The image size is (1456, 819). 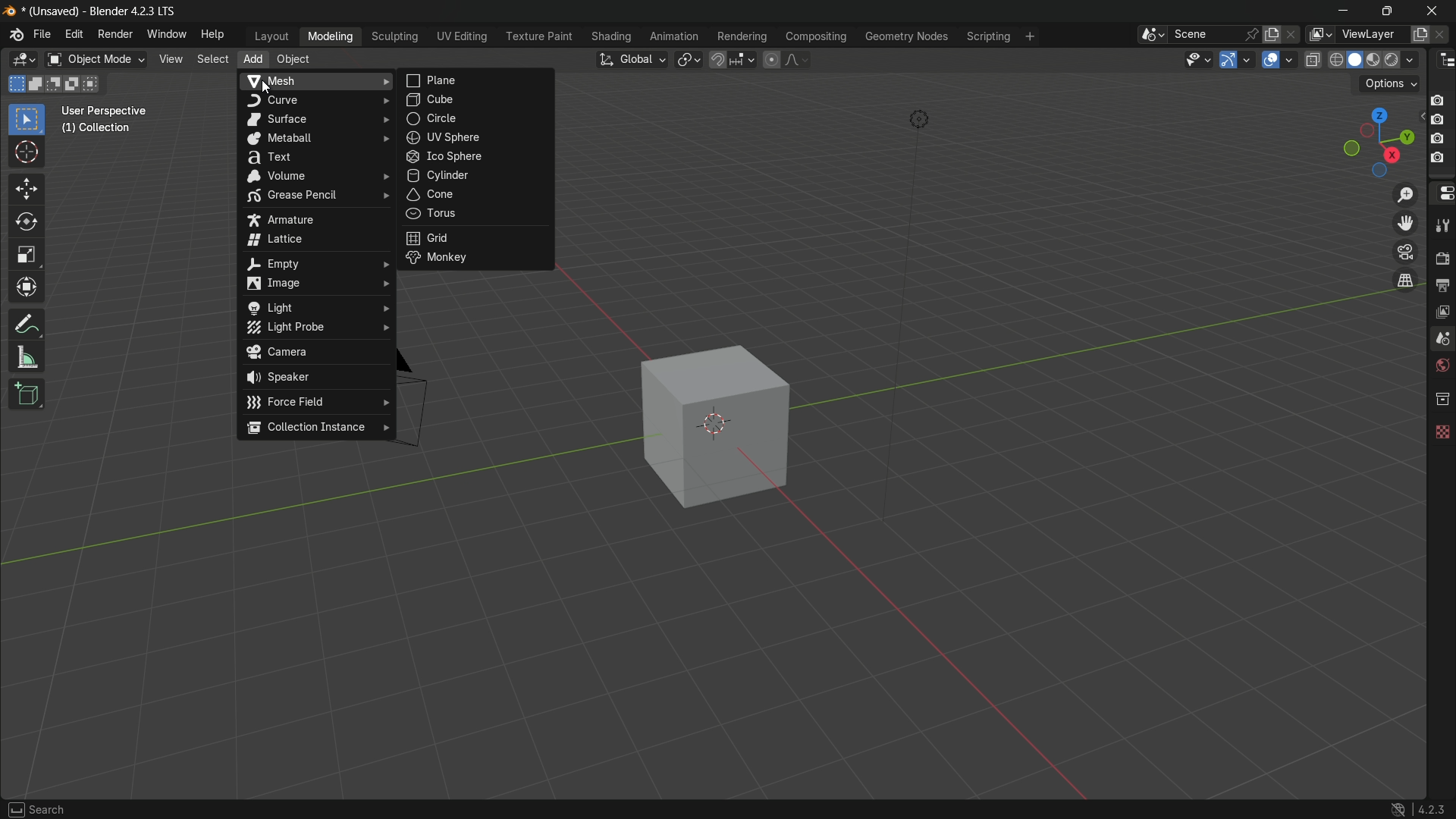 What do you see at coordinates (163, 34) in the screenshot?
I see `window menu` at bounding box center [163, 34].